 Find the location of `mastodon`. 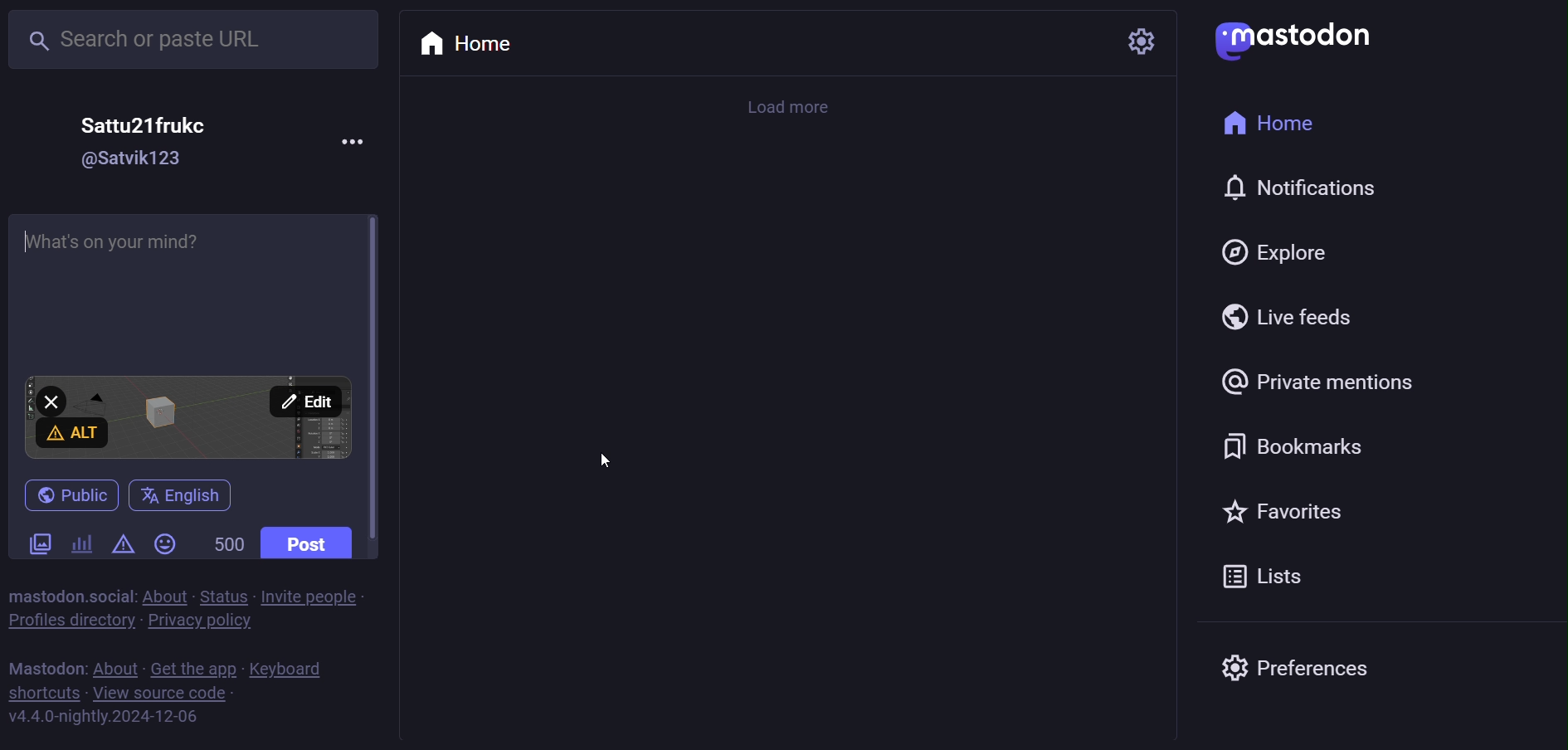

mastodon is located at coordinates (1299, 35).